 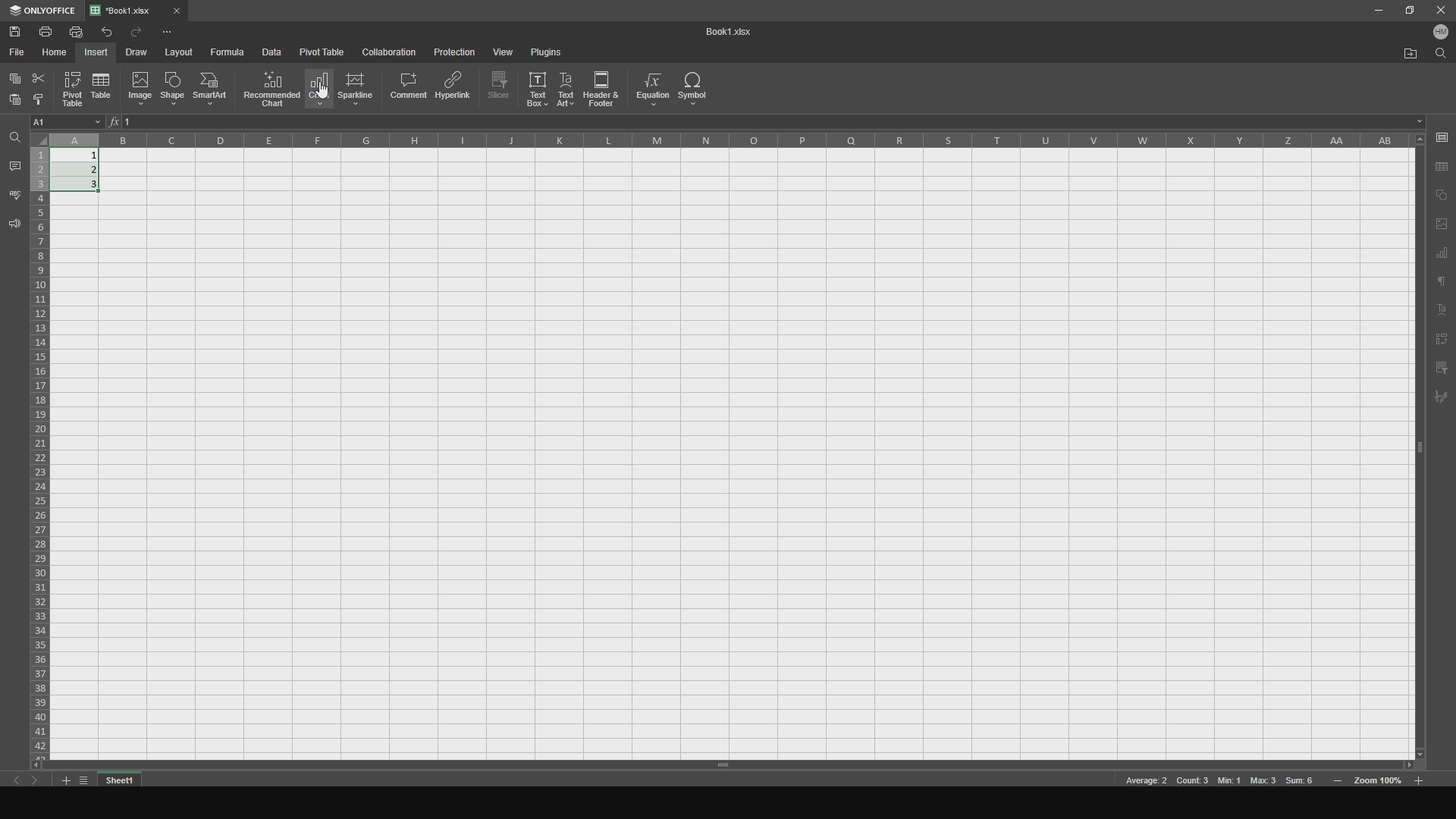 I want to click on chart, so click(x=318, y=89).